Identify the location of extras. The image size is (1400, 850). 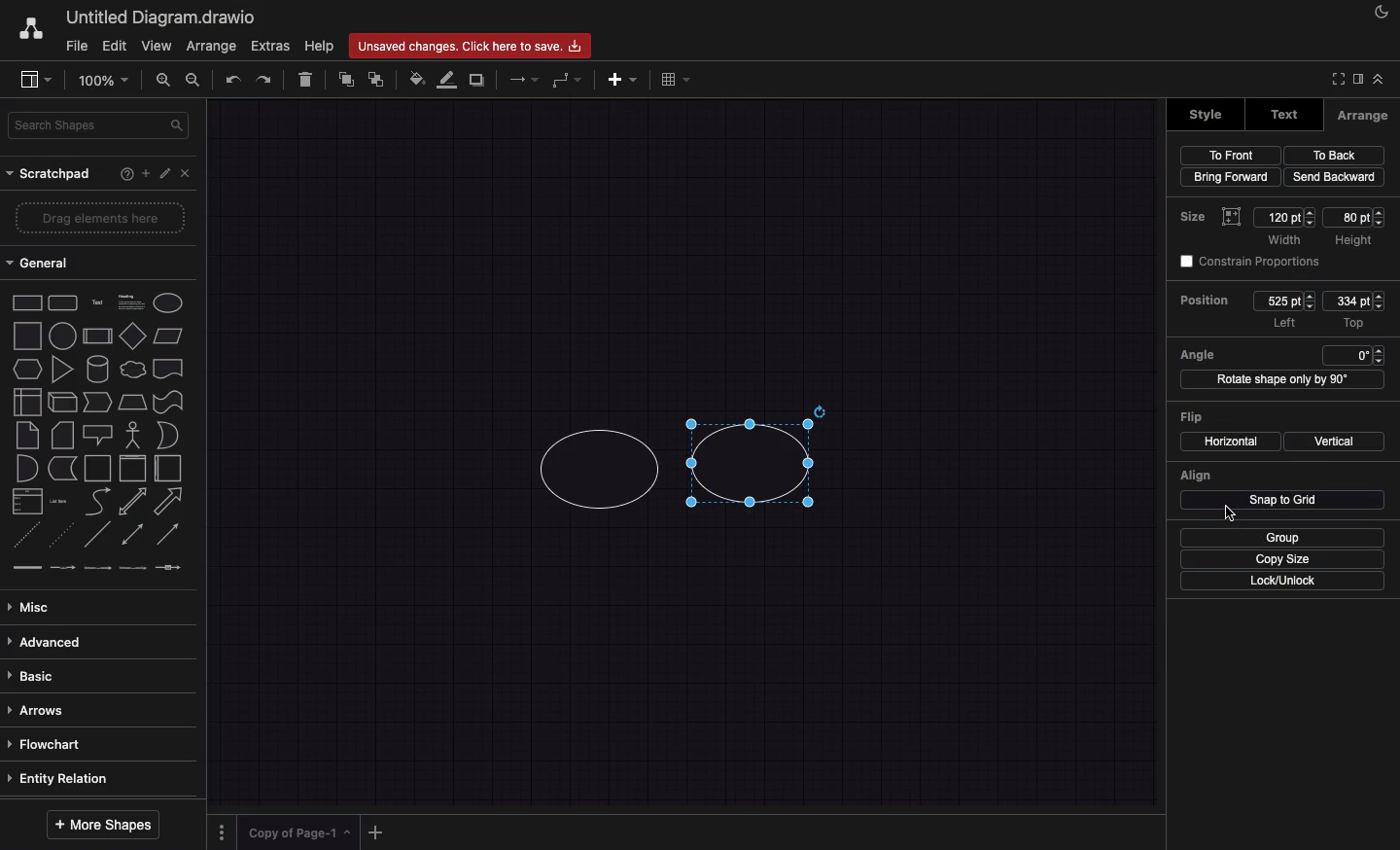
(270, 46).